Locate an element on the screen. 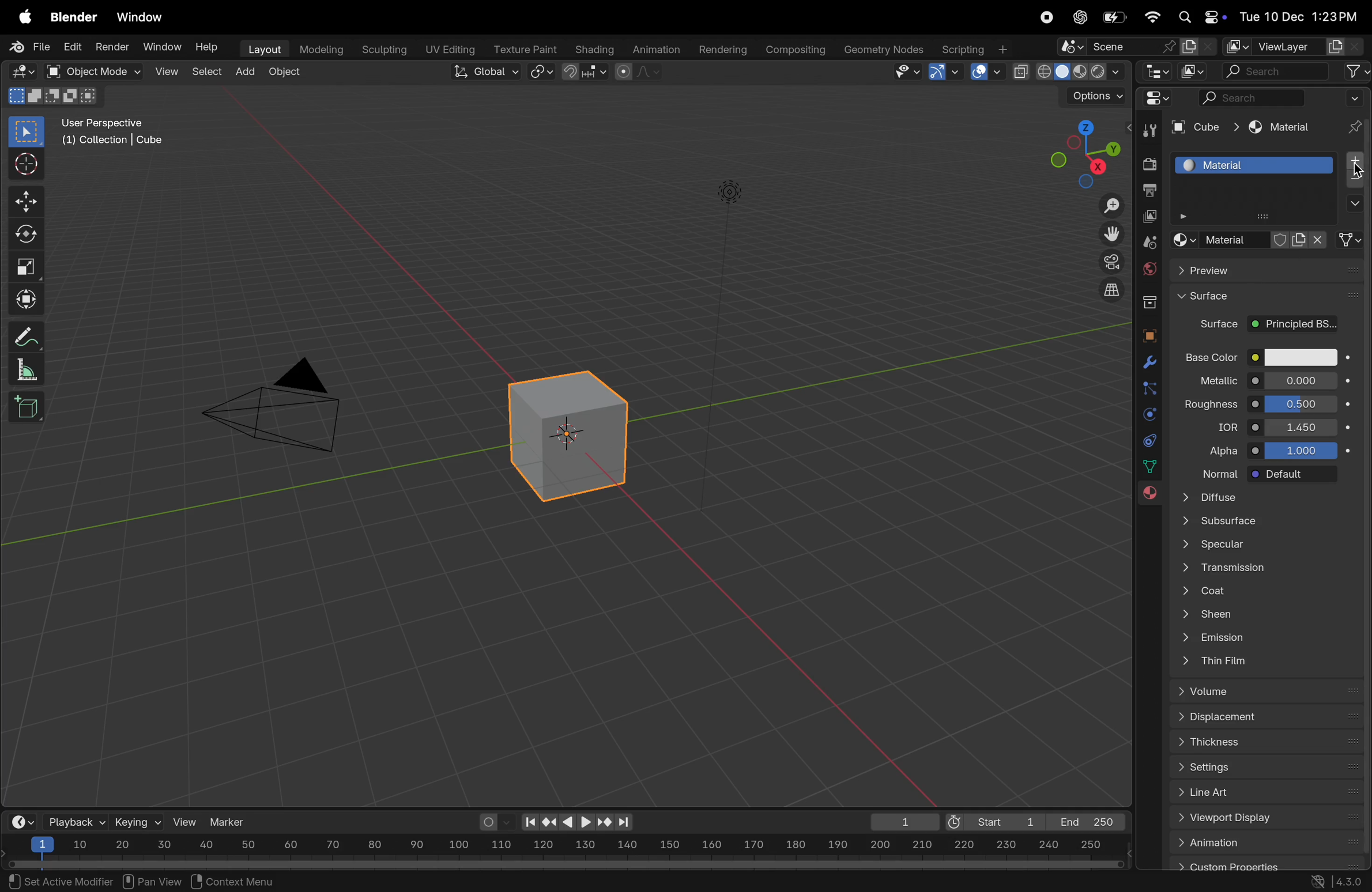 The image size is (1372, 892). camera is located at coordinates (1109, 262).